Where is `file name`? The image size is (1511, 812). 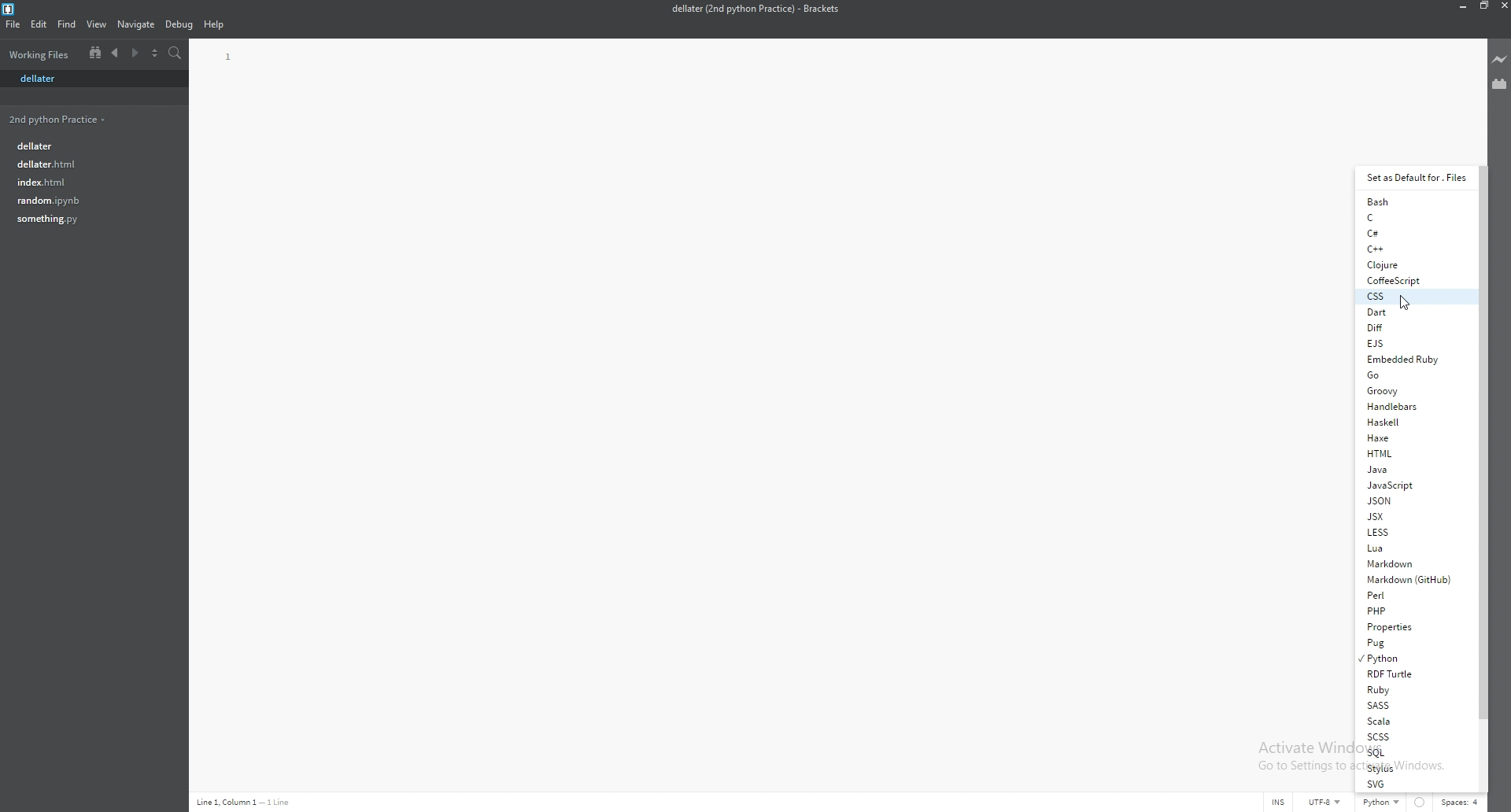
file name is located at coordinates (755, 9).